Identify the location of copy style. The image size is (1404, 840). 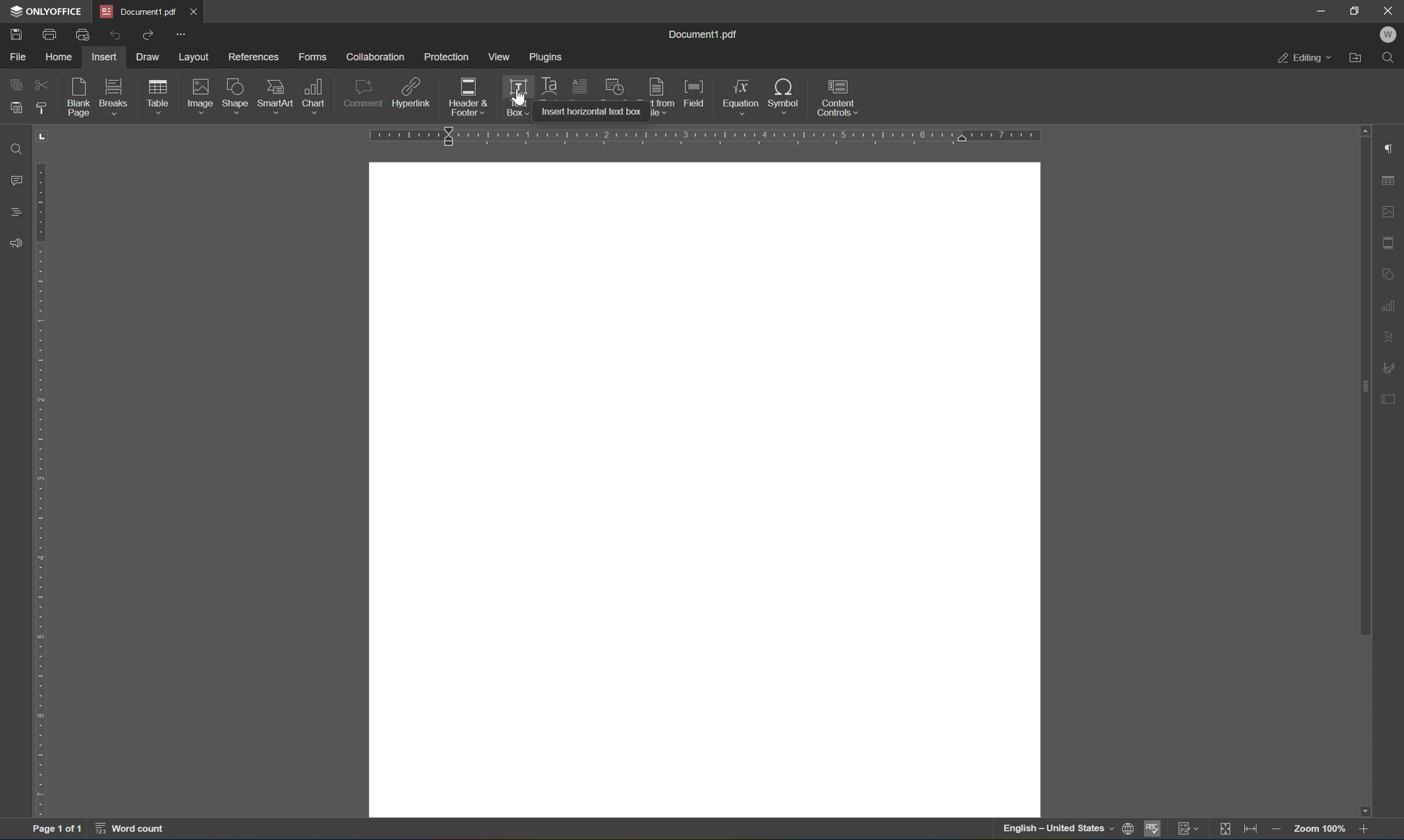
(41, 108).